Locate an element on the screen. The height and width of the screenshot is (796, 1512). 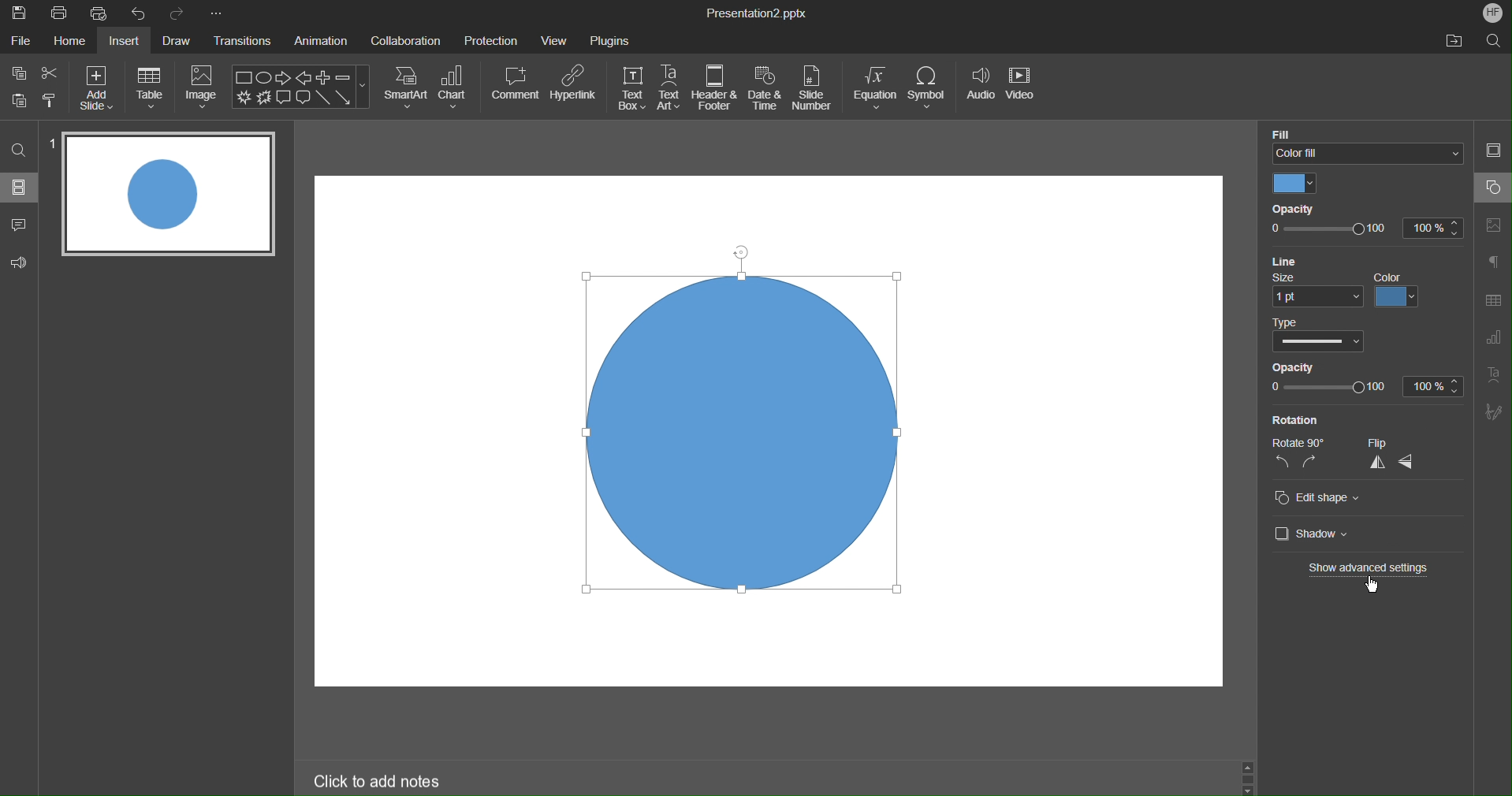
Shape Settings is located at coordinates (1492, 188).